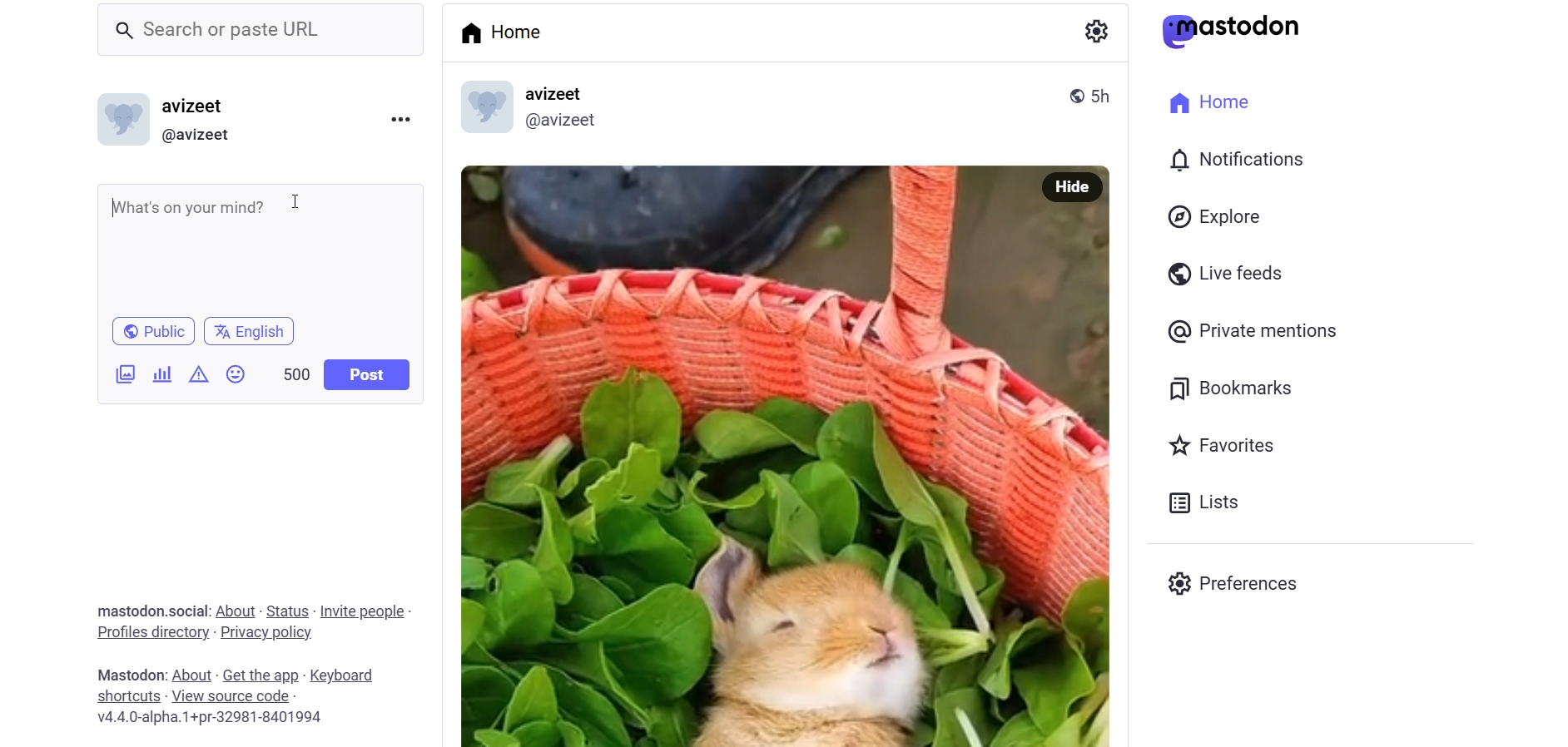 Image resolution: width=1568 pixels, height=747 pixels. Describe the element at coordinates (198, 374) in the screenshot. I see `content warning` at that location.